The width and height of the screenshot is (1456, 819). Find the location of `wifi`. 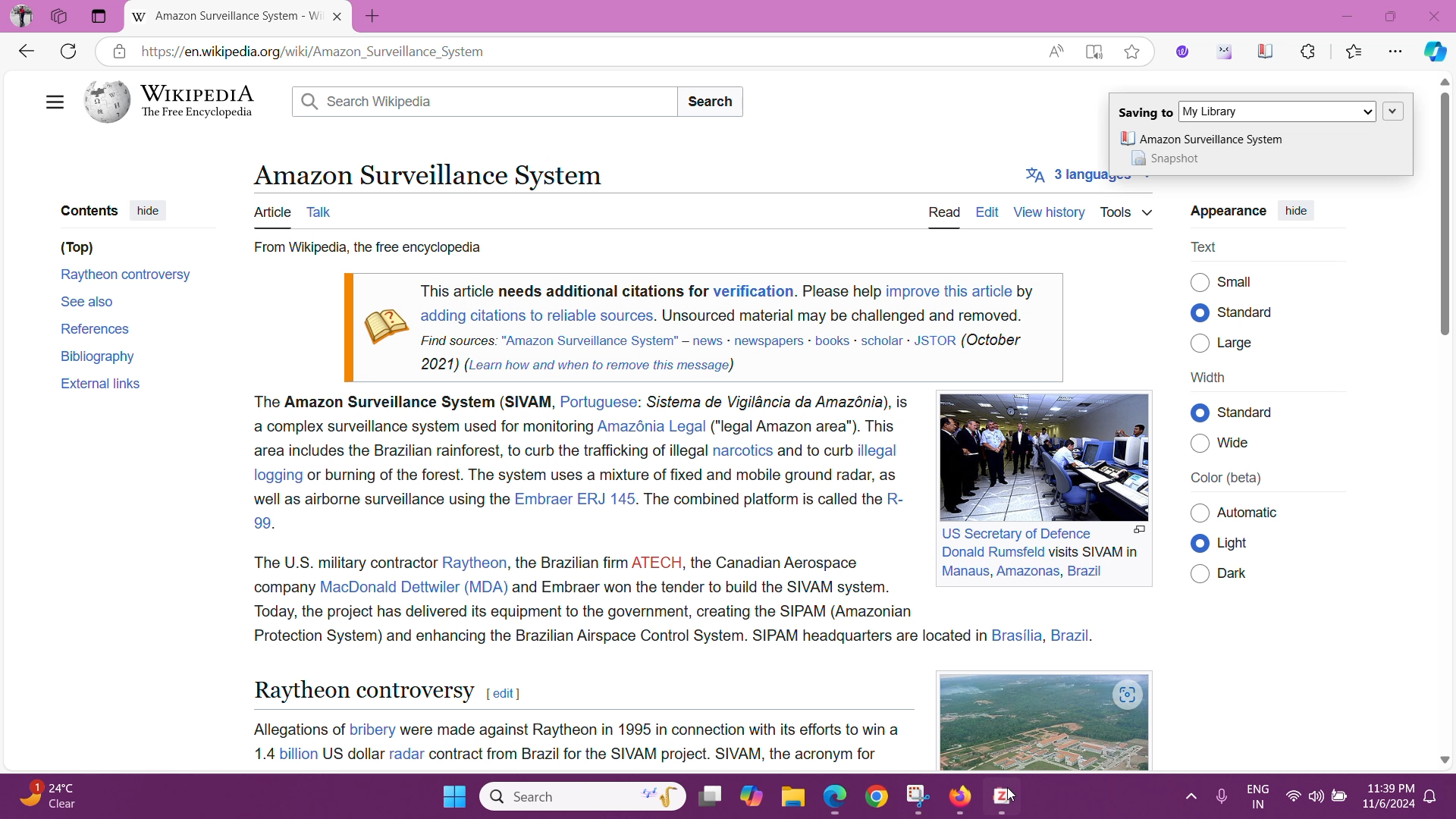

wifi is located at coordinates (1294, 799).